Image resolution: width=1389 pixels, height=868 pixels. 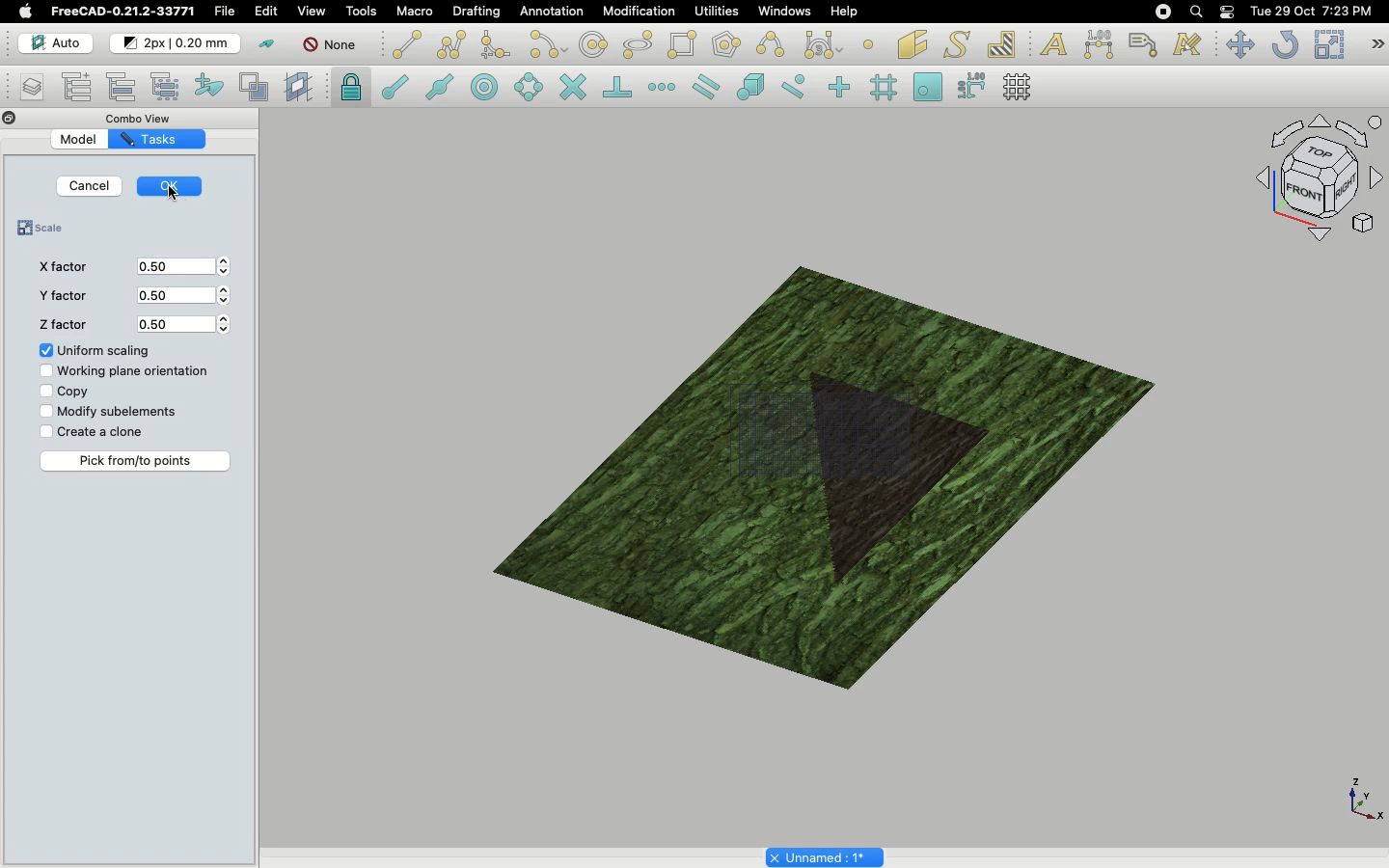 I want to click on Snap near, so click(x=793, y=88).